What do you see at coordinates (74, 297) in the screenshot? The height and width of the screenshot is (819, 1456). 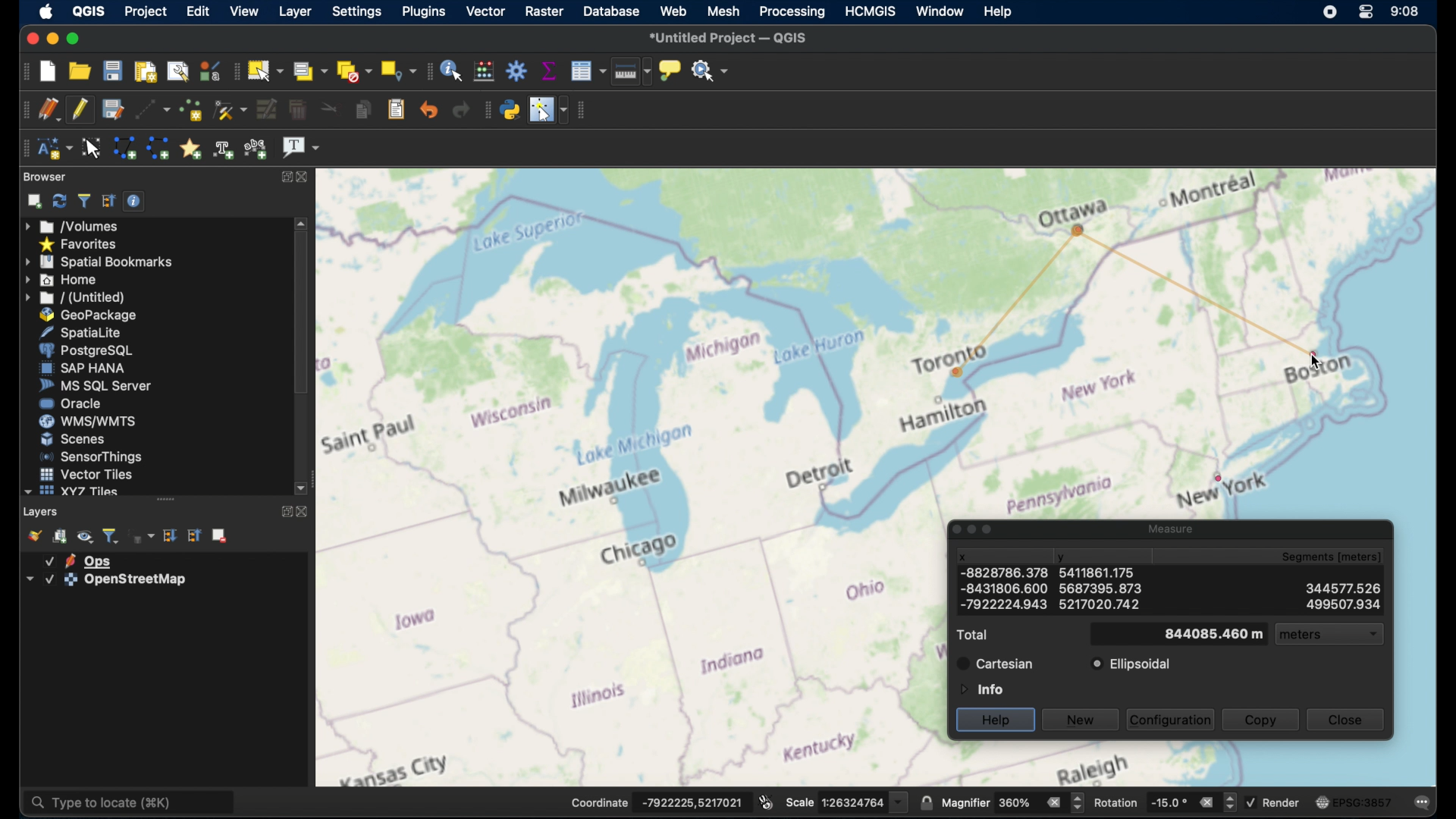 I see `untitled menu` at bounding box center [74, 297].